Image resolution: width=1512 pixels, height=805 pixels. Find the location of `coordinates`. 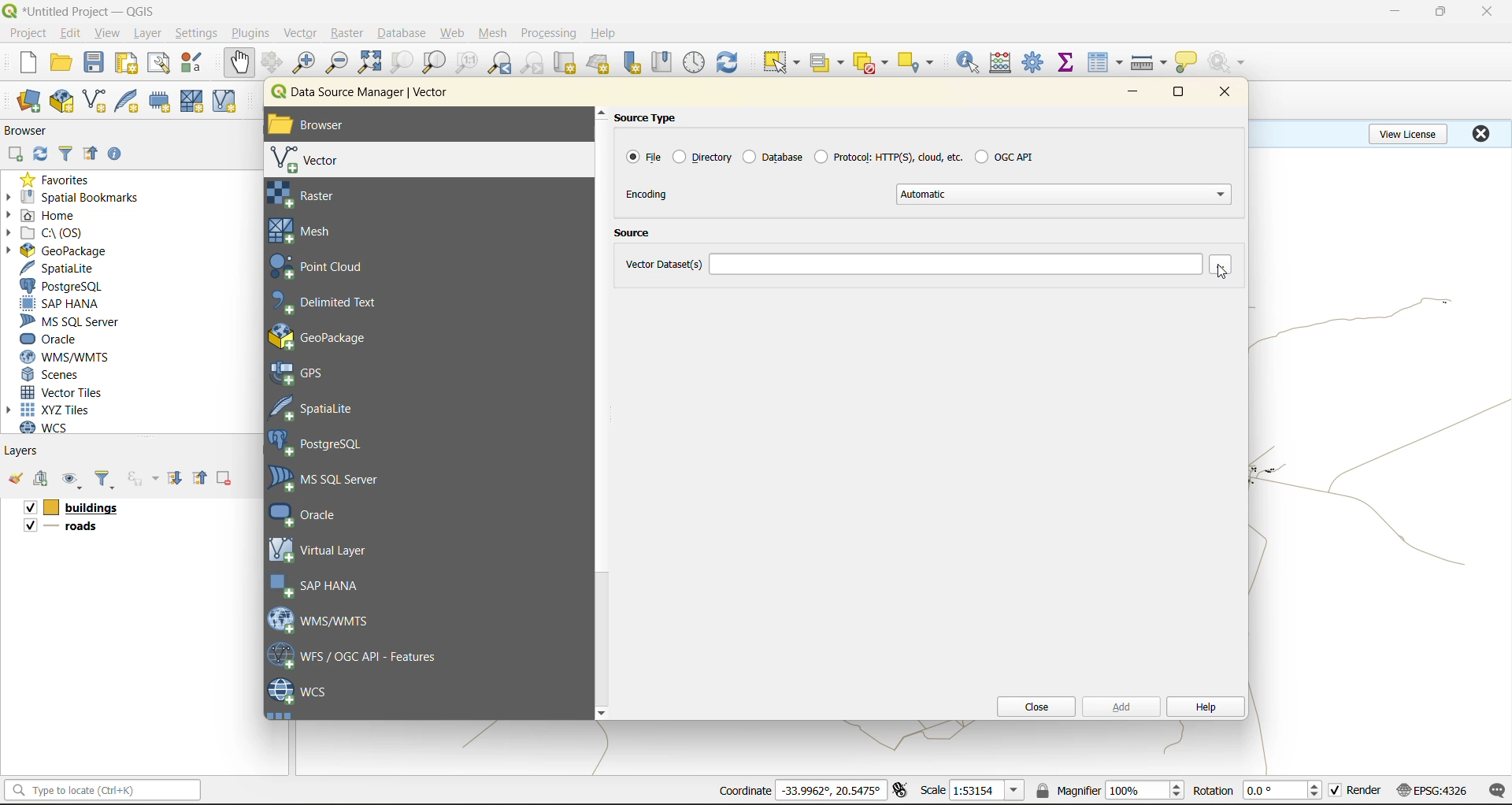

coordinates is located at coordinates (744, 791).